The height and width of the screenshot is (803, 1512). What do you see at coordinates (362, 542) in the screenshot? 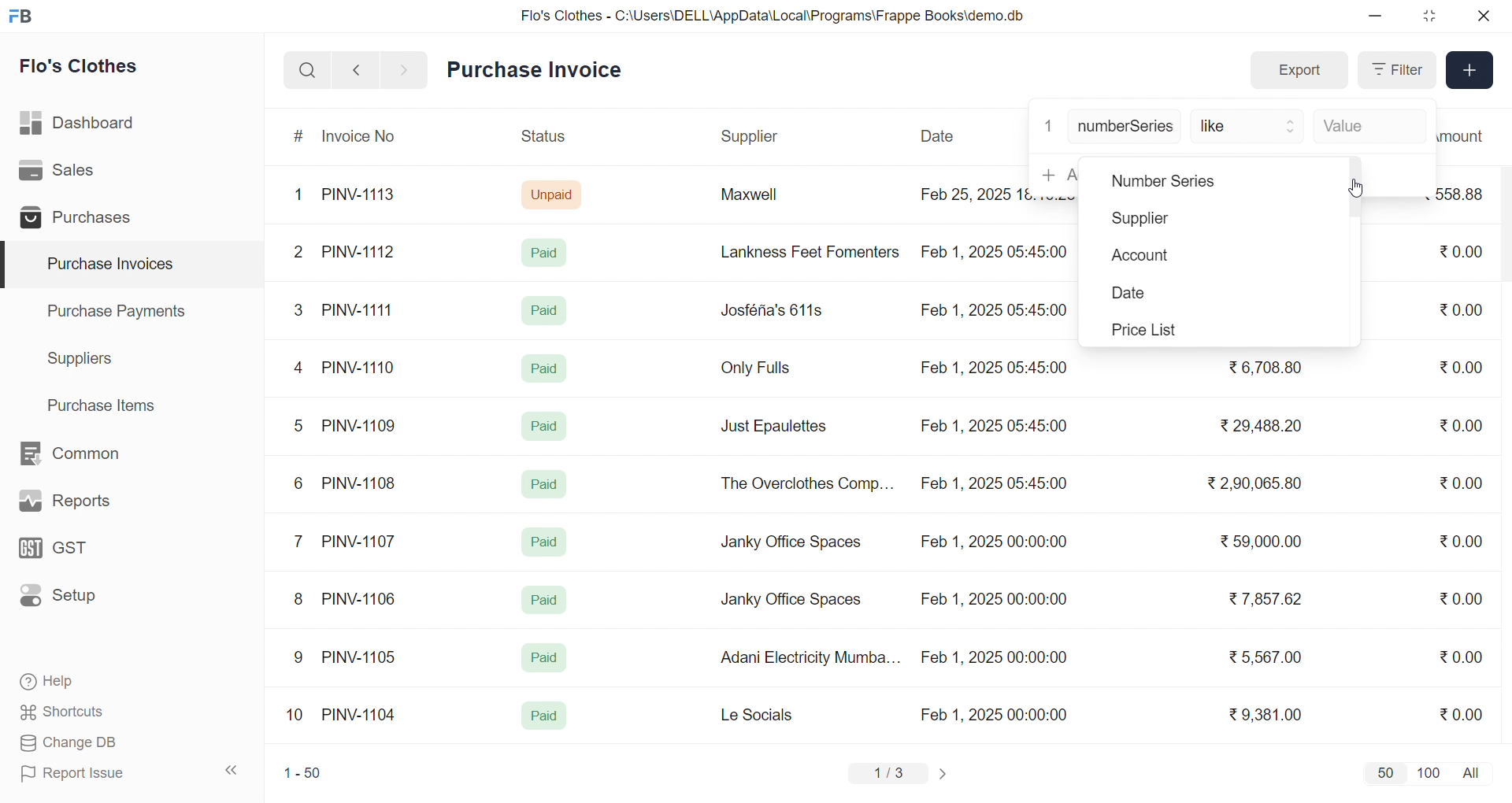
I see `PINV-1107` at bounding box center [362, 542].